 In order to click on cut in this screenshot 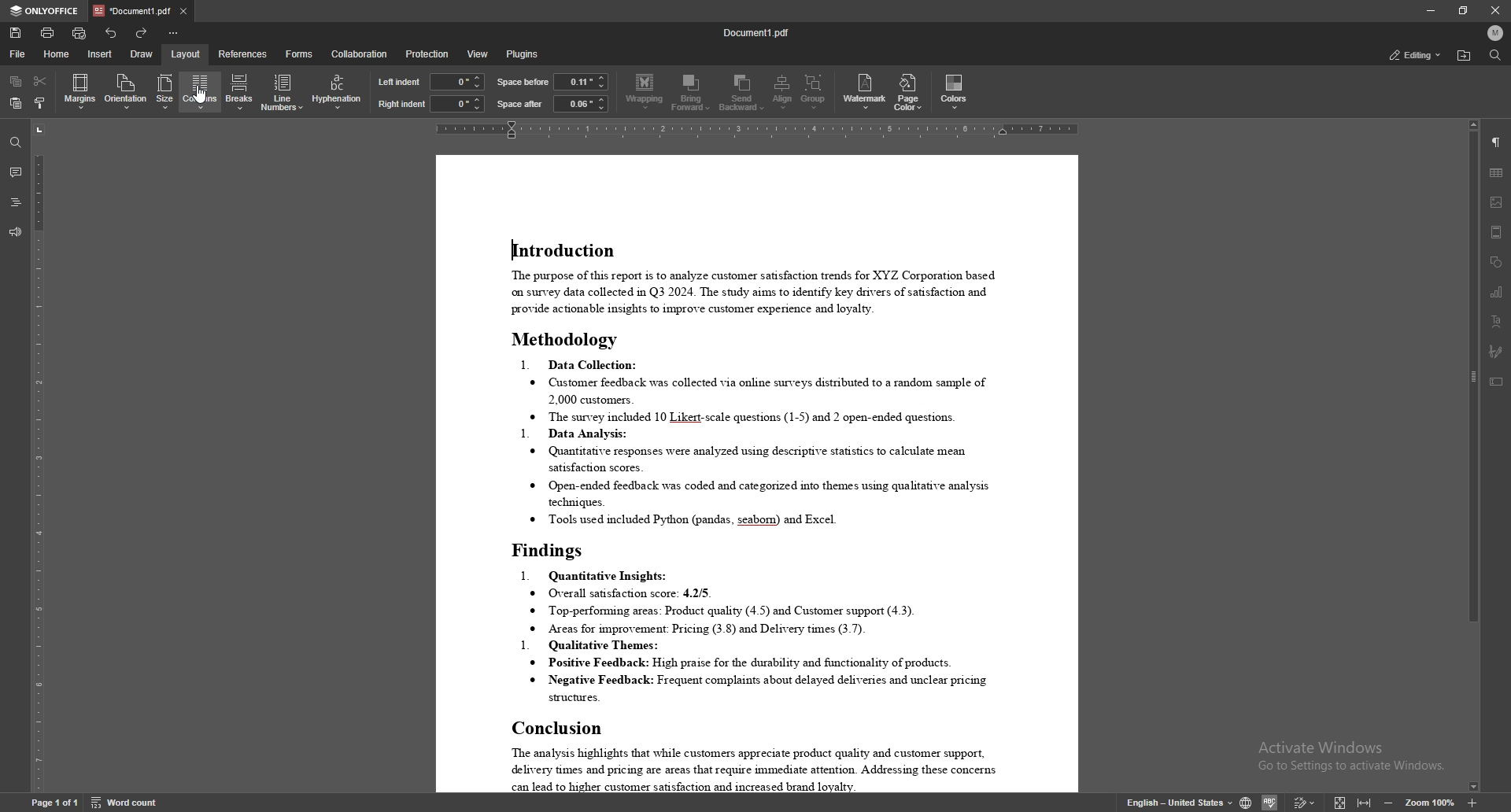, I will do `click(39, 81)`.